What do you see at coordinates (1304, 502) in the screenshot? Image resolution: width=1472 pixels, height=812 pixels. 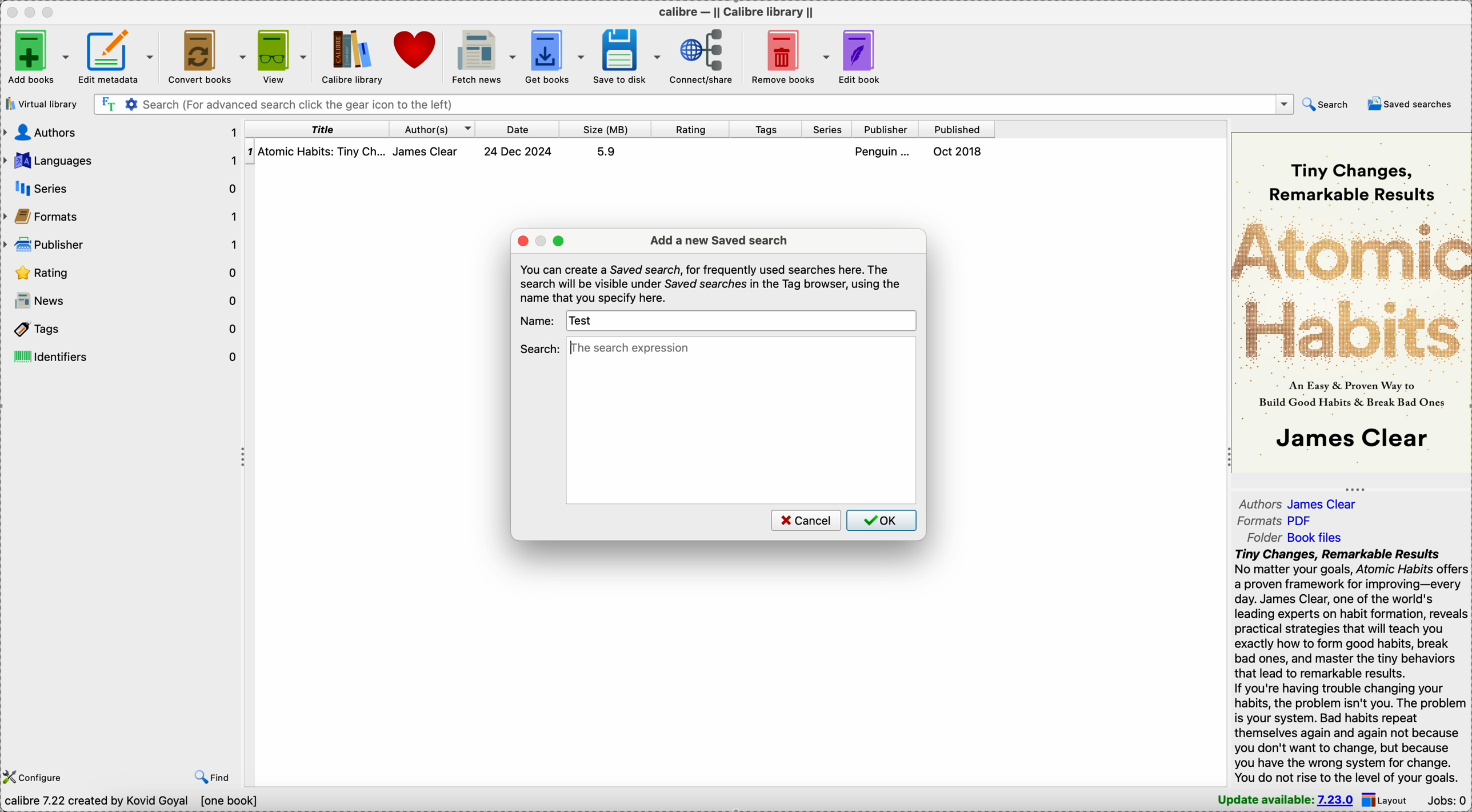 I see `authors James Clear` at bounding box center [1304, 502].